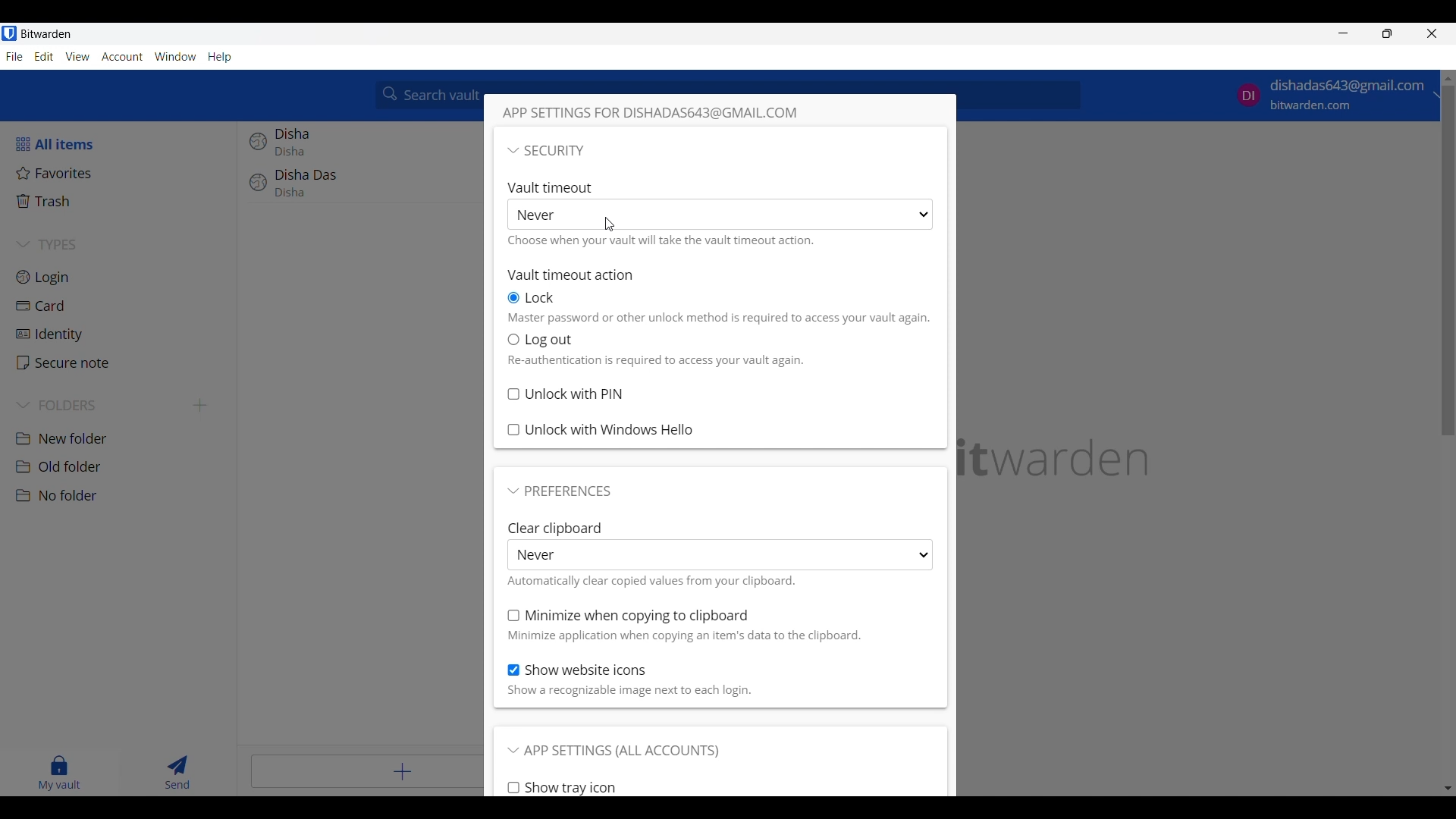 This screenshot has width=1456, height=819. What do you see at coordinates (719, 215) in the screenshot?
I see `Vault timeout options` at bounding box center [719, 215].